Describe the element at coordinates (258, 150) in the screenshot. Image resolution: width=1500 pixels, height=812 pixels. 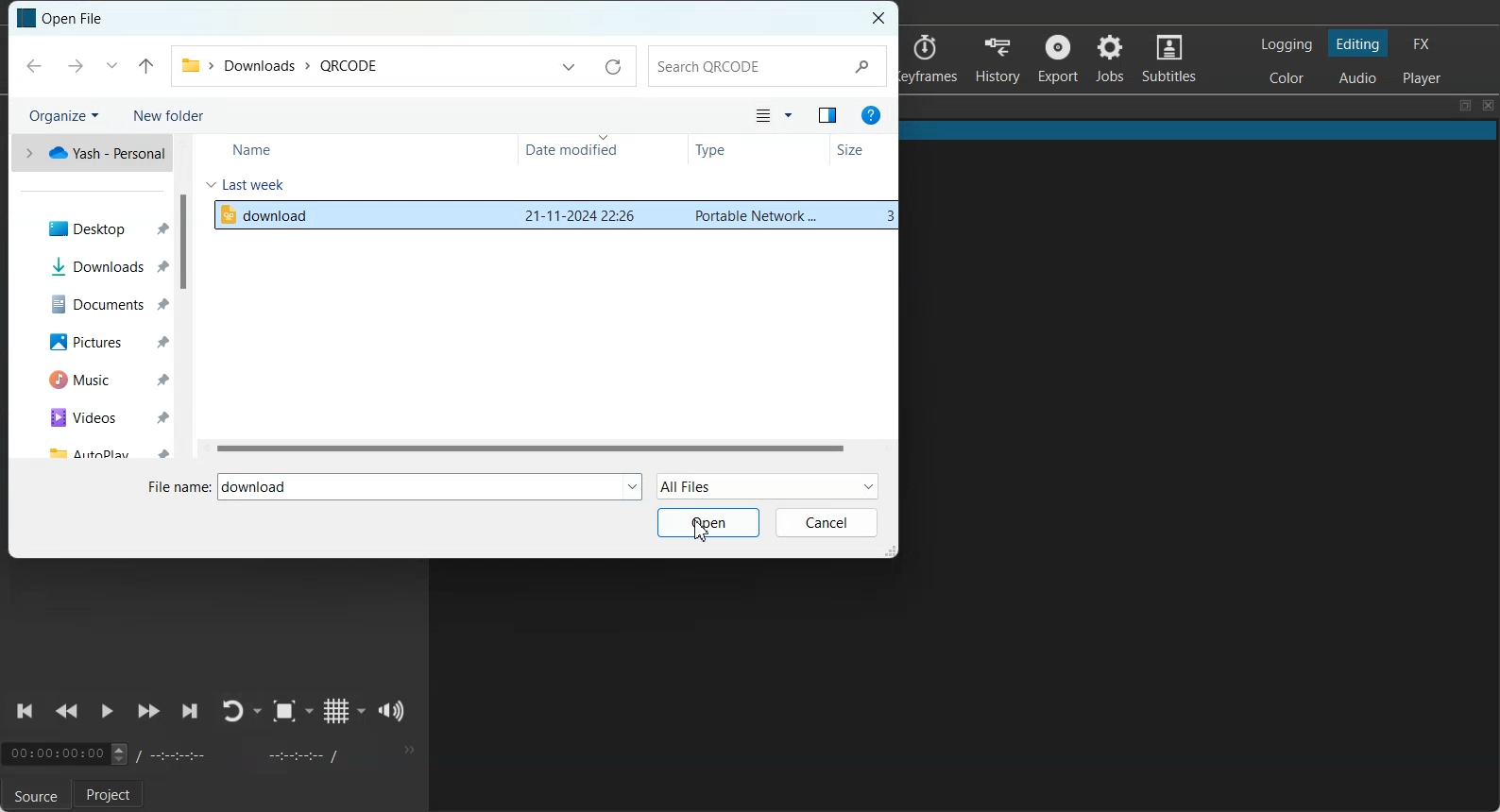
I see `Name` at that location.